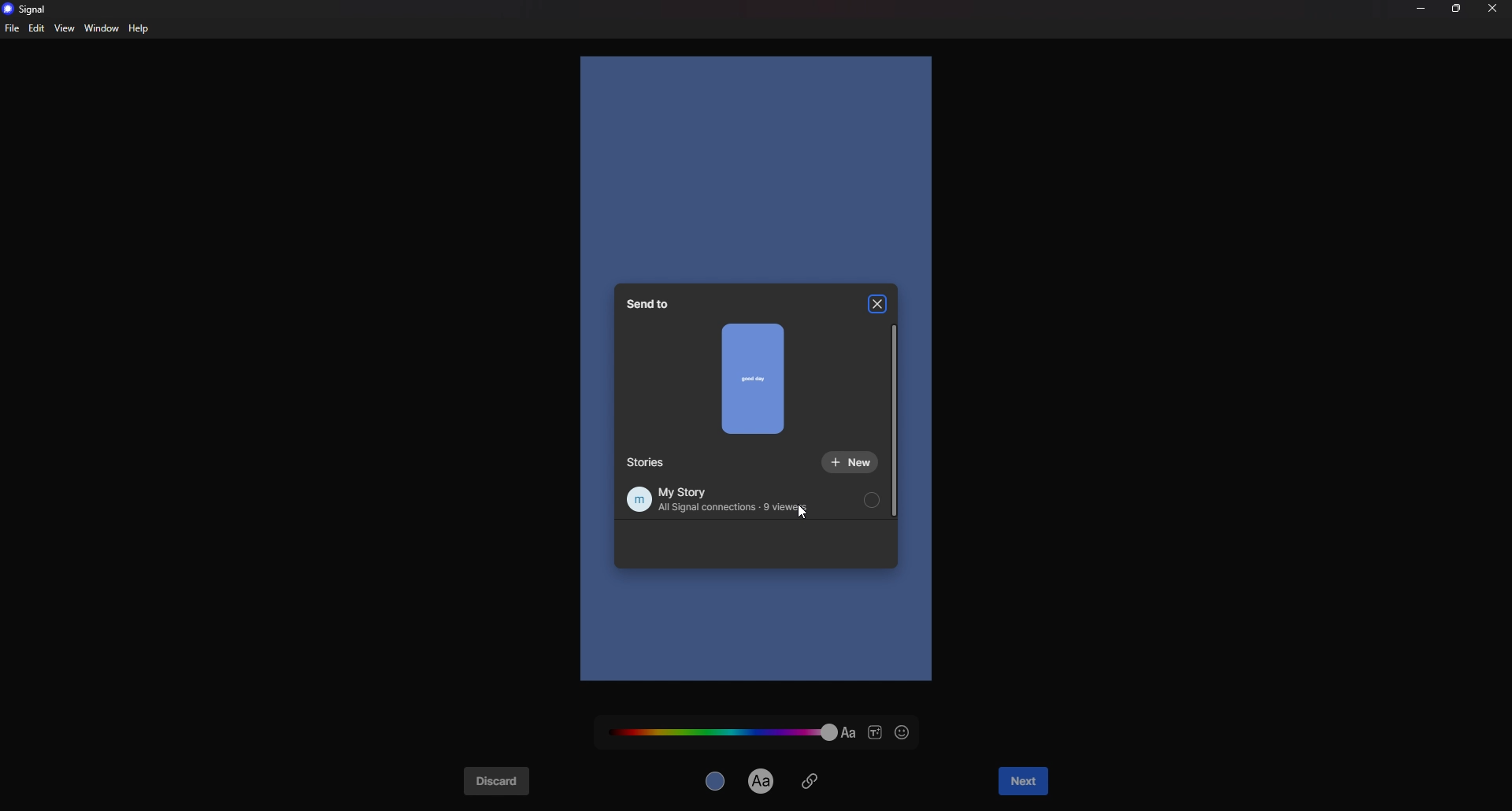 The height and width of the screenshot is (811, 1512). I want to click on text, so click(849, 733).